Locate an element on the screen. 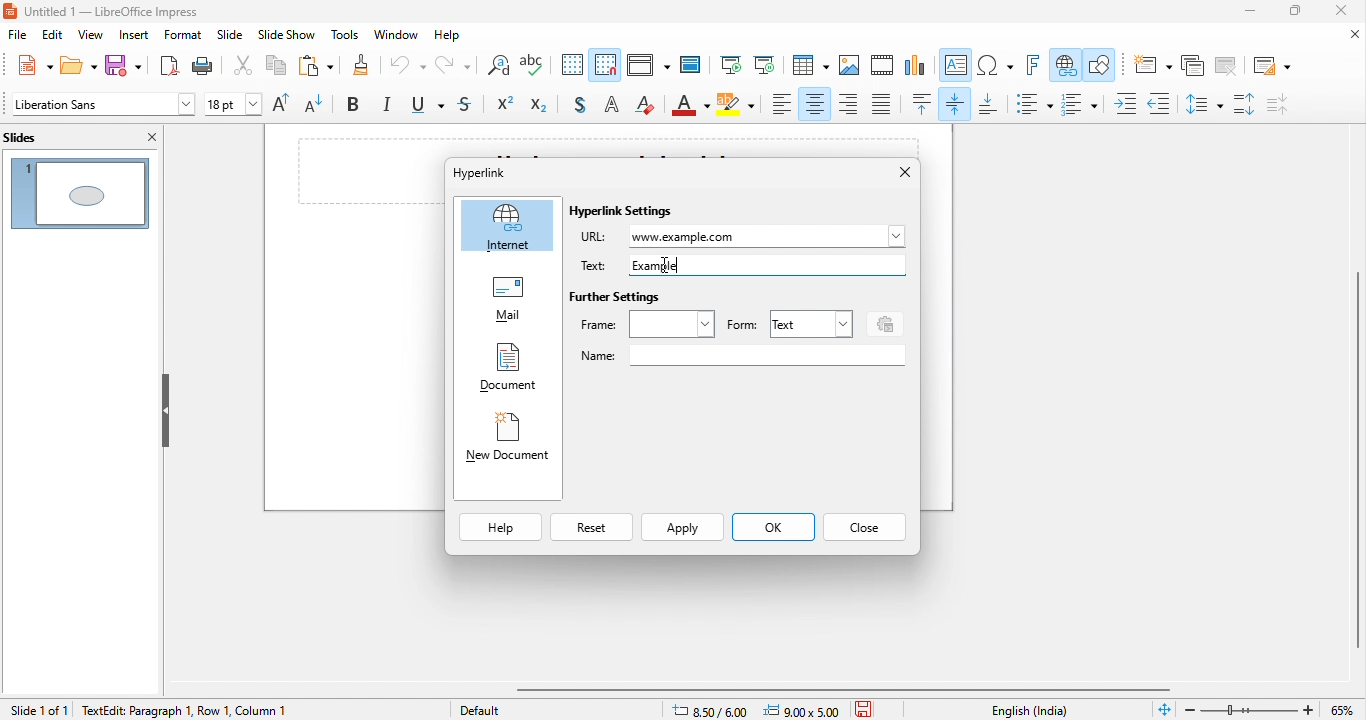  spelling is located at coordinates (538, 67).